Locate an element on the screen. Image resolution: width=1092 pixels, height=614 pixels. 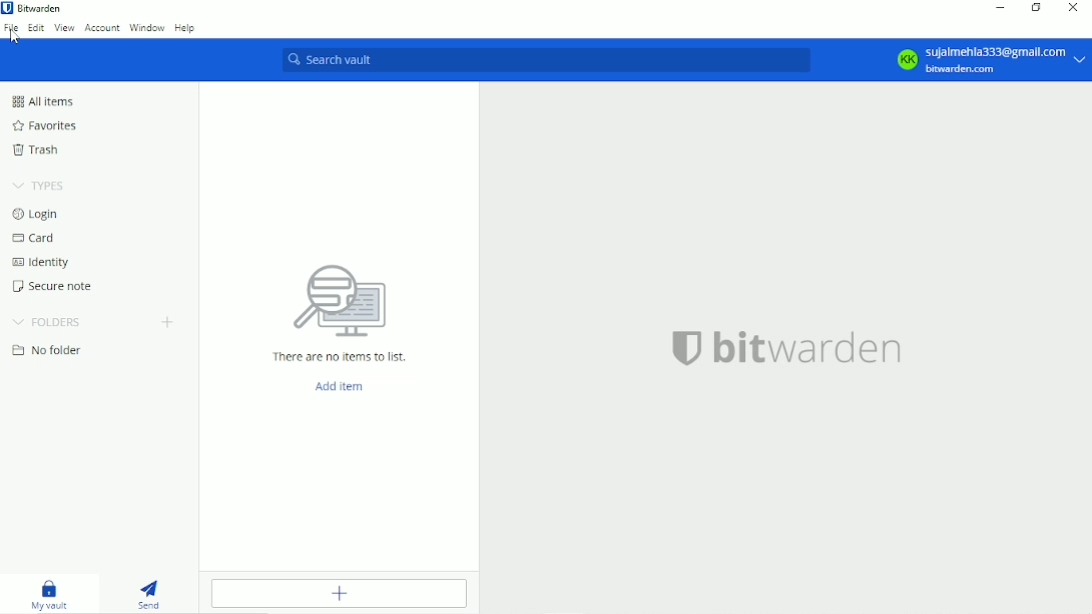
Add item is located at coordinates (339, 388).